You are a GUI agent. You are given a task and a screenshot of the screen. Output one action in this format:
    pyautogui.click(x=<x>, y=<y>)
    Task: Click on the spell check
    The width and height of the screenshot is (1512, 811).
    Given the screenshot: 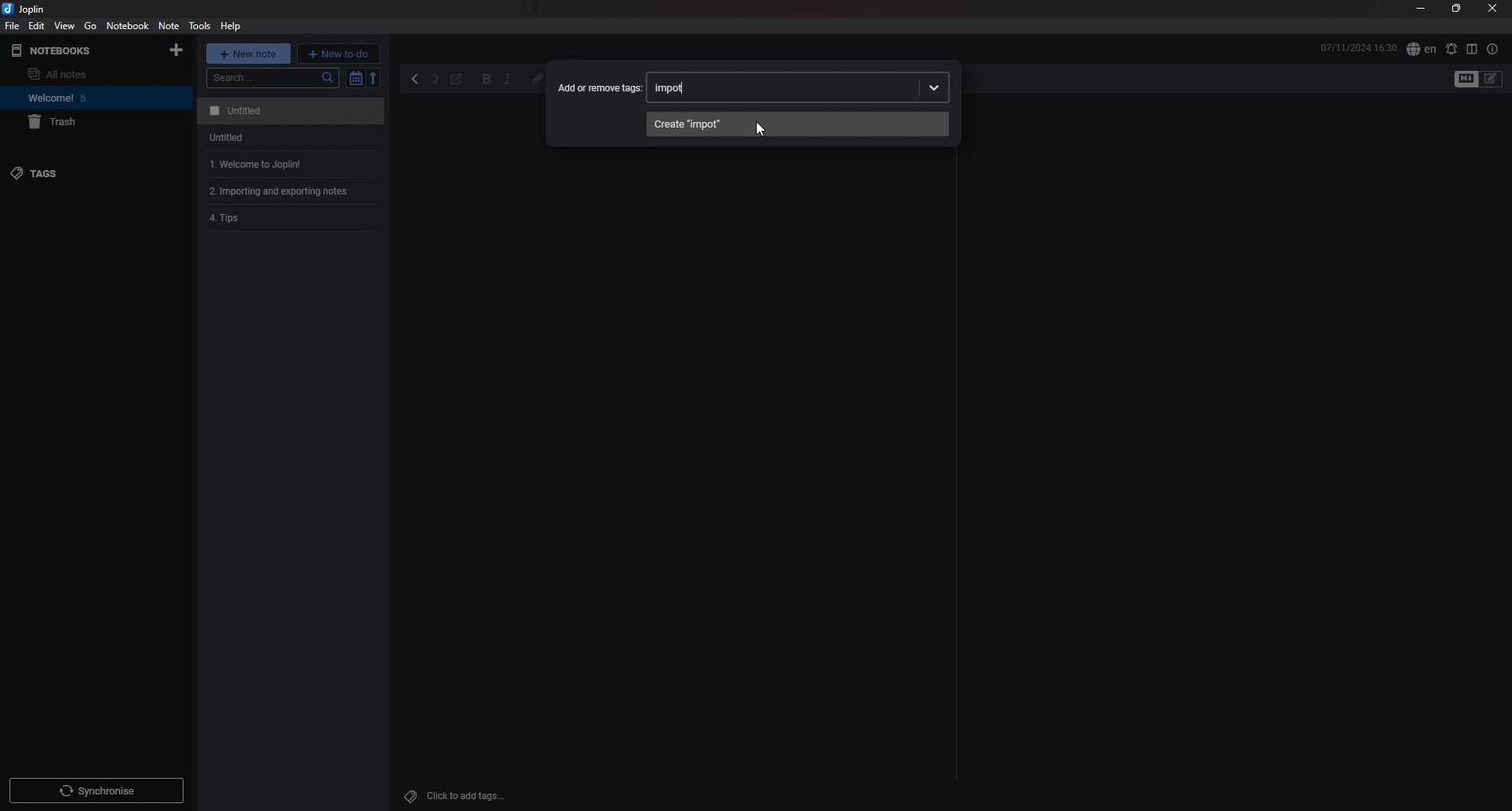 What is the action you would take?
    pyautogui.click(x=1451, y=49)
    